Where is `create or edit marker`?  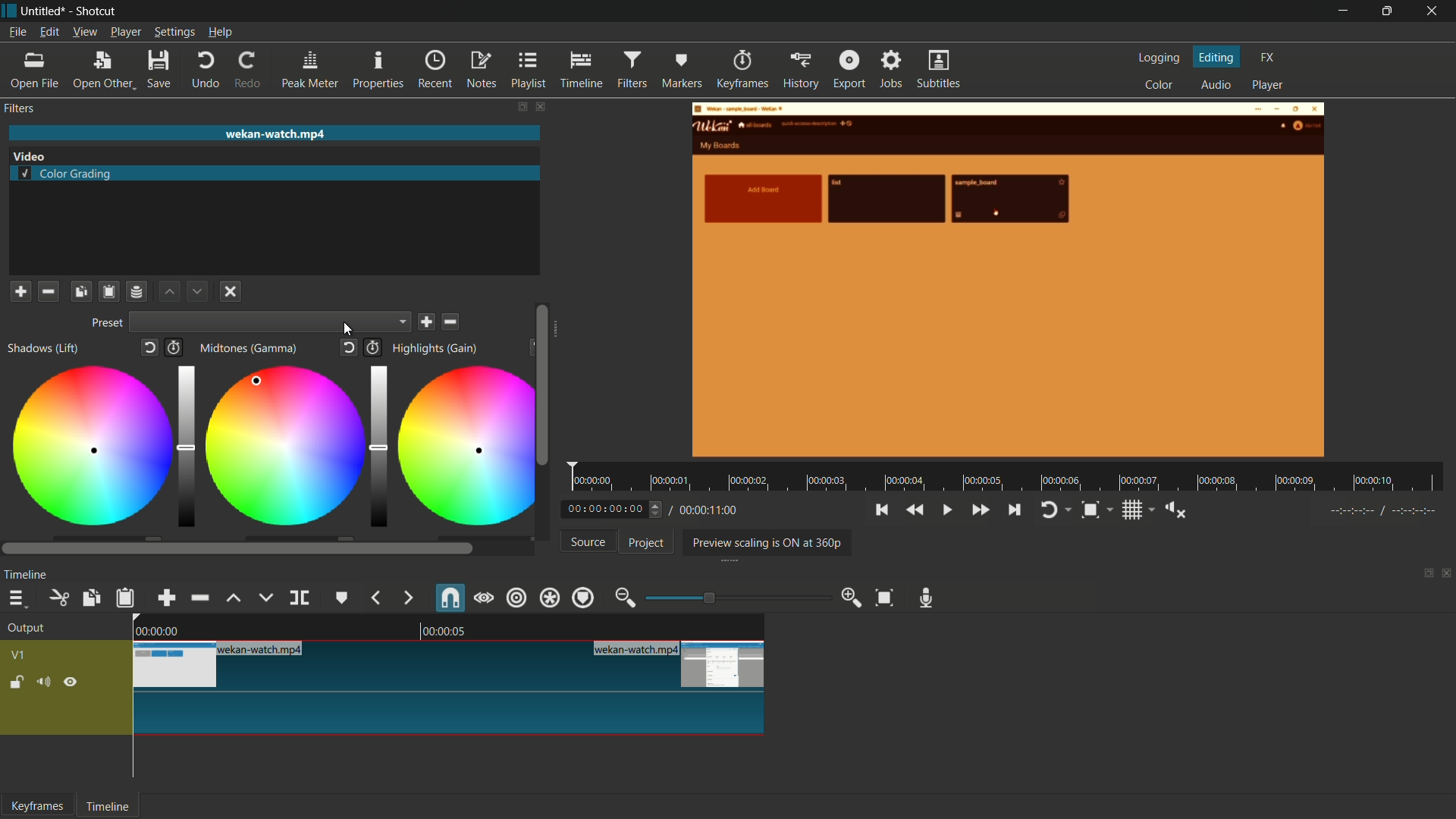 create or edit marker is located at coordinates (340, 598).